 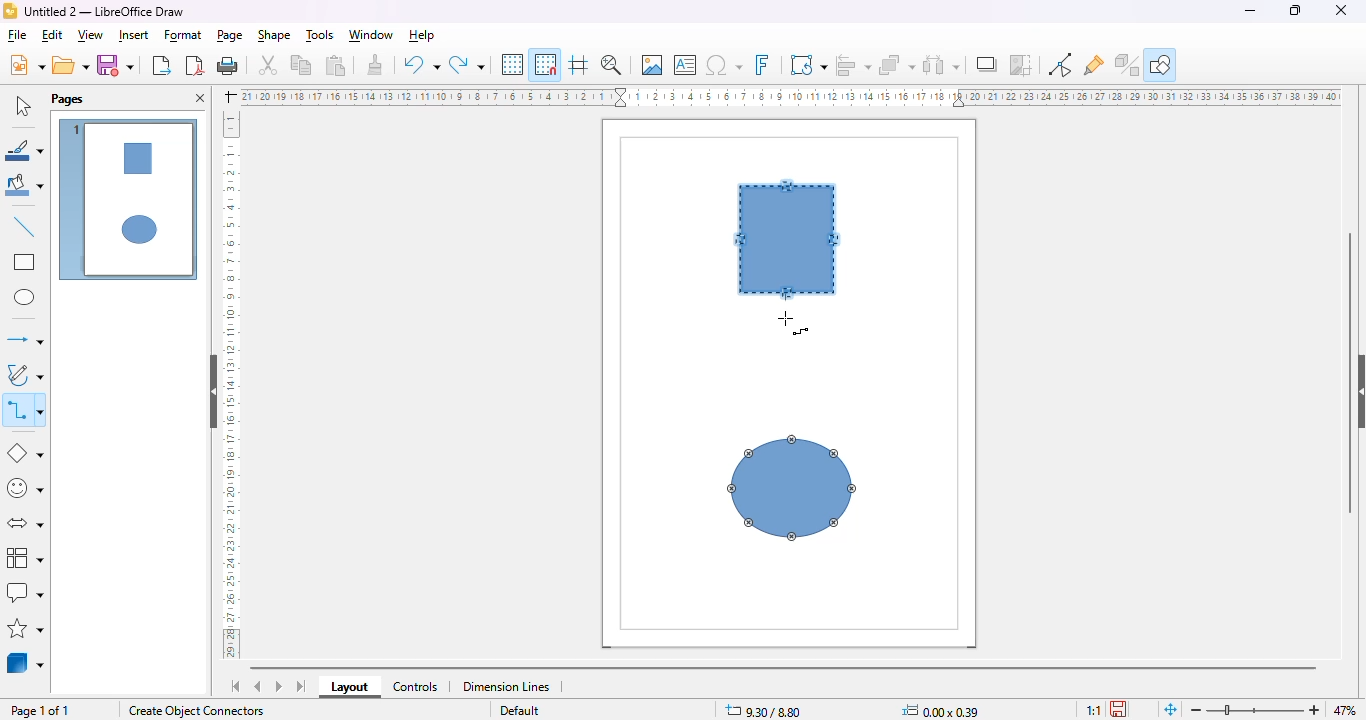 I want to click on crop image, so click(x=1020, y=65).